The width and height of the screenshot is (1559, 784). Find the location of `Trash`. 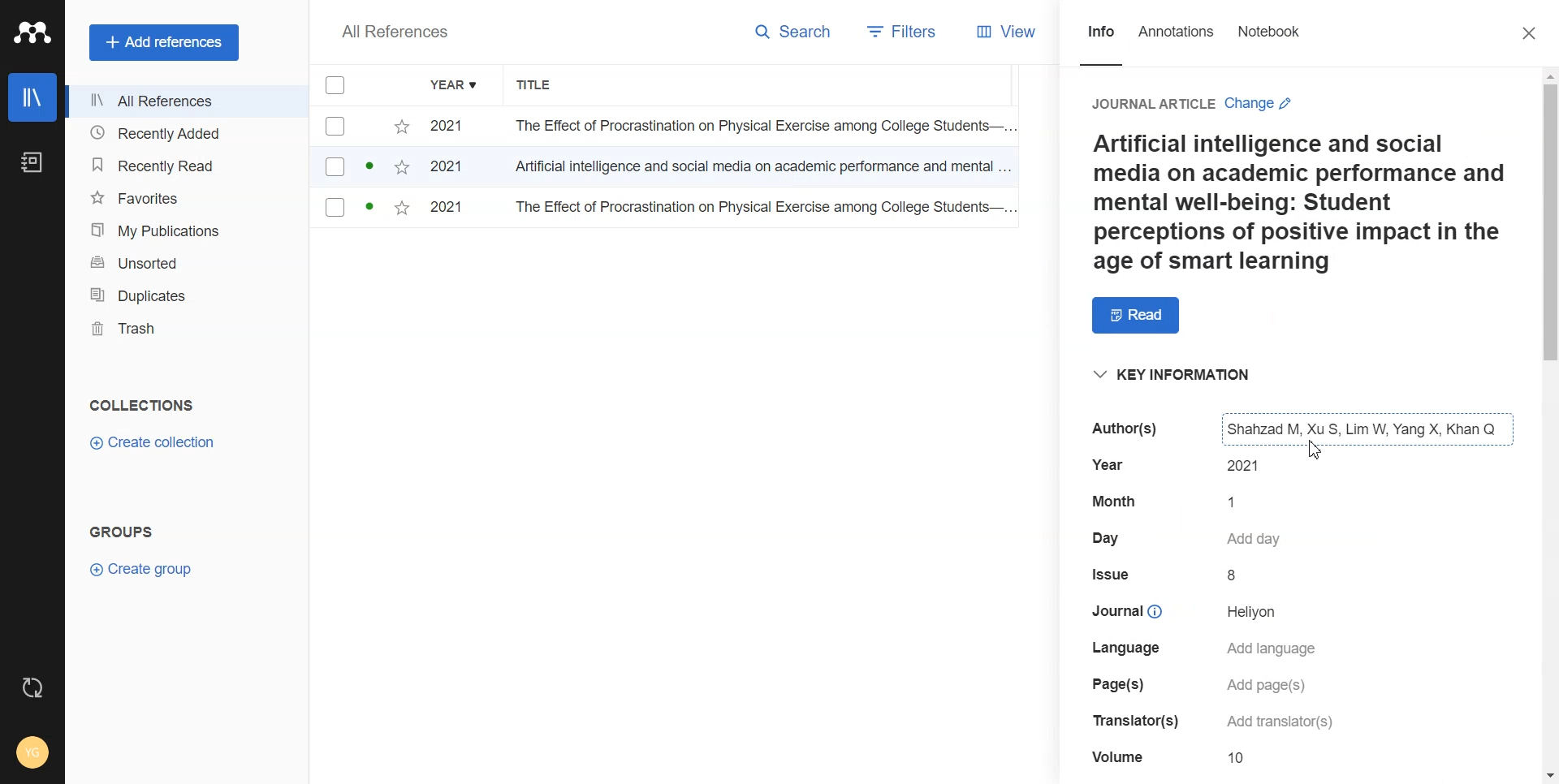

Trash is located at coordinates (186, 329).